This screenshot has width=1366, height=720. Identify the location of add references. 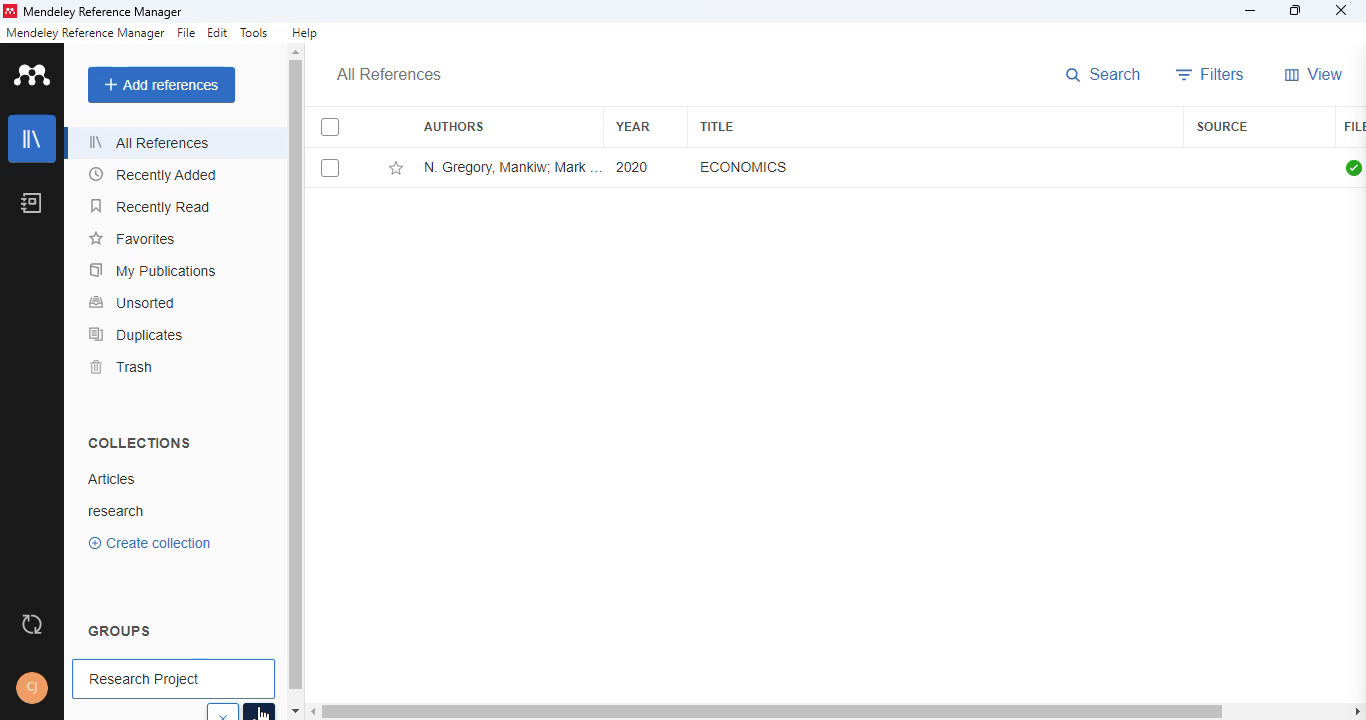
(162, 85).